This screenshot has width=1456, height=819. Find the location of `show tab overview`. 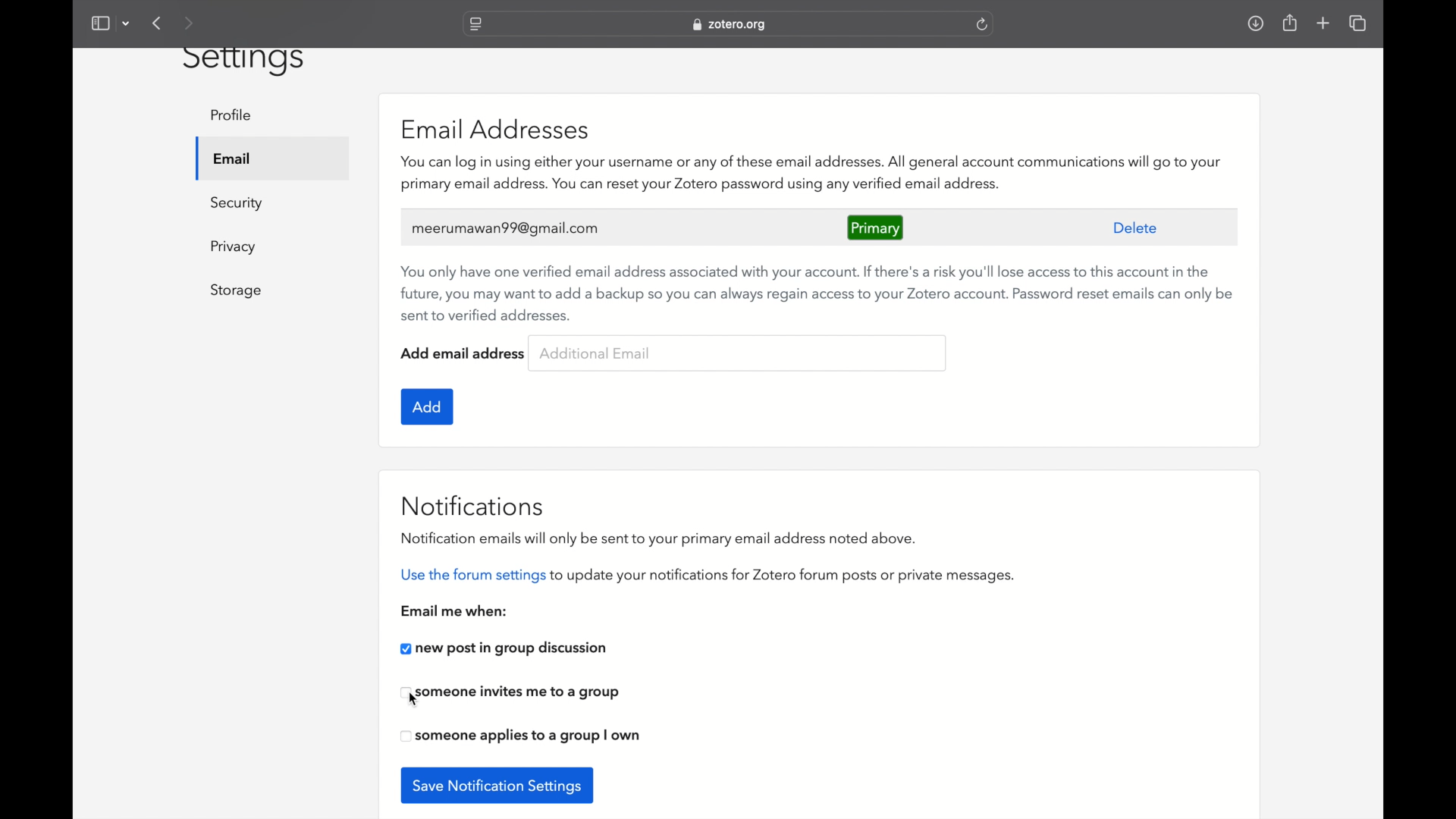

show tab overview is located at coordinates (1357, 23).